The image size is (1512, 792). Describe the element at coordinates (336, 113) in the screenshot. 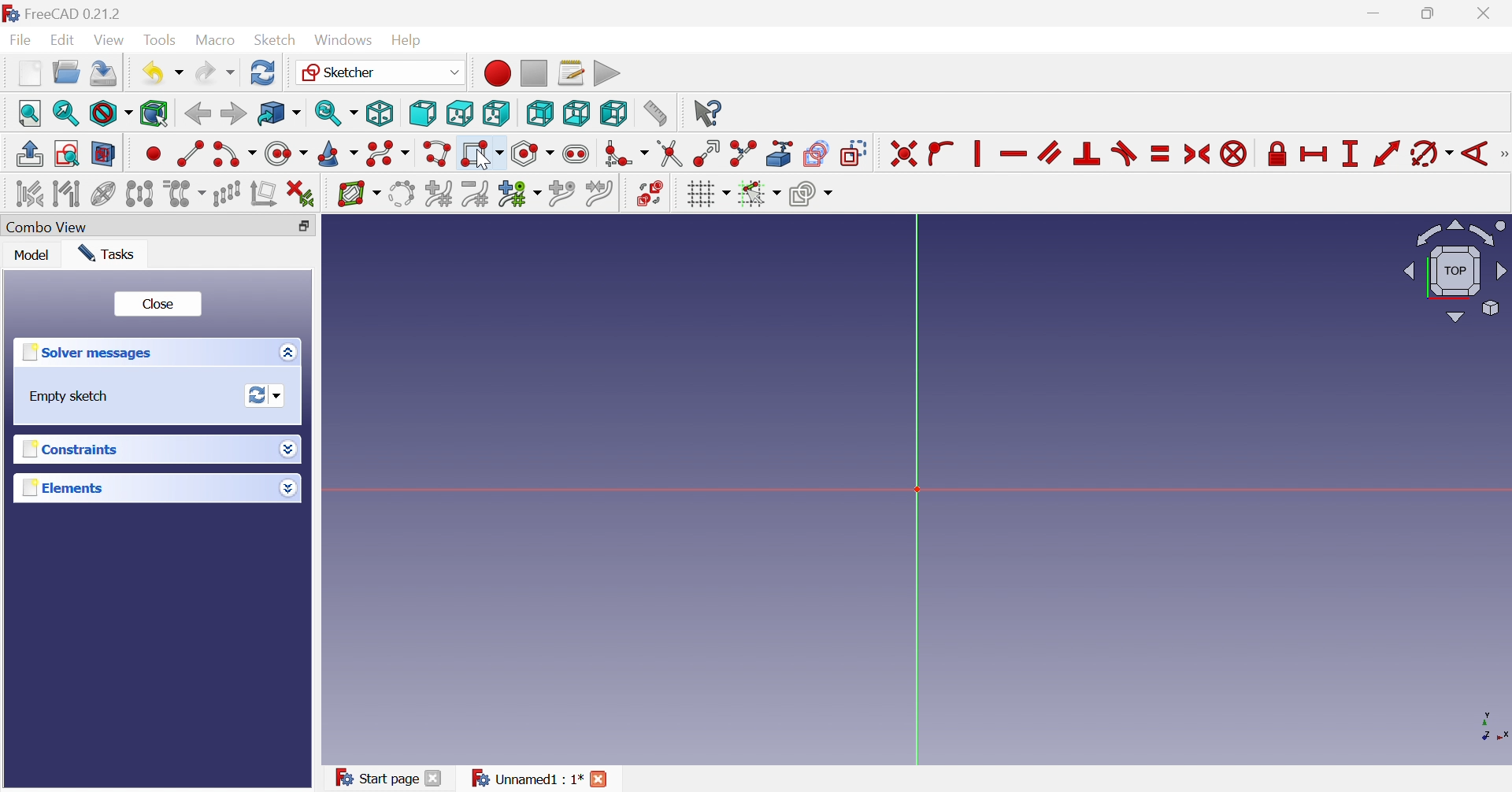

I see `Sync view` at that location.